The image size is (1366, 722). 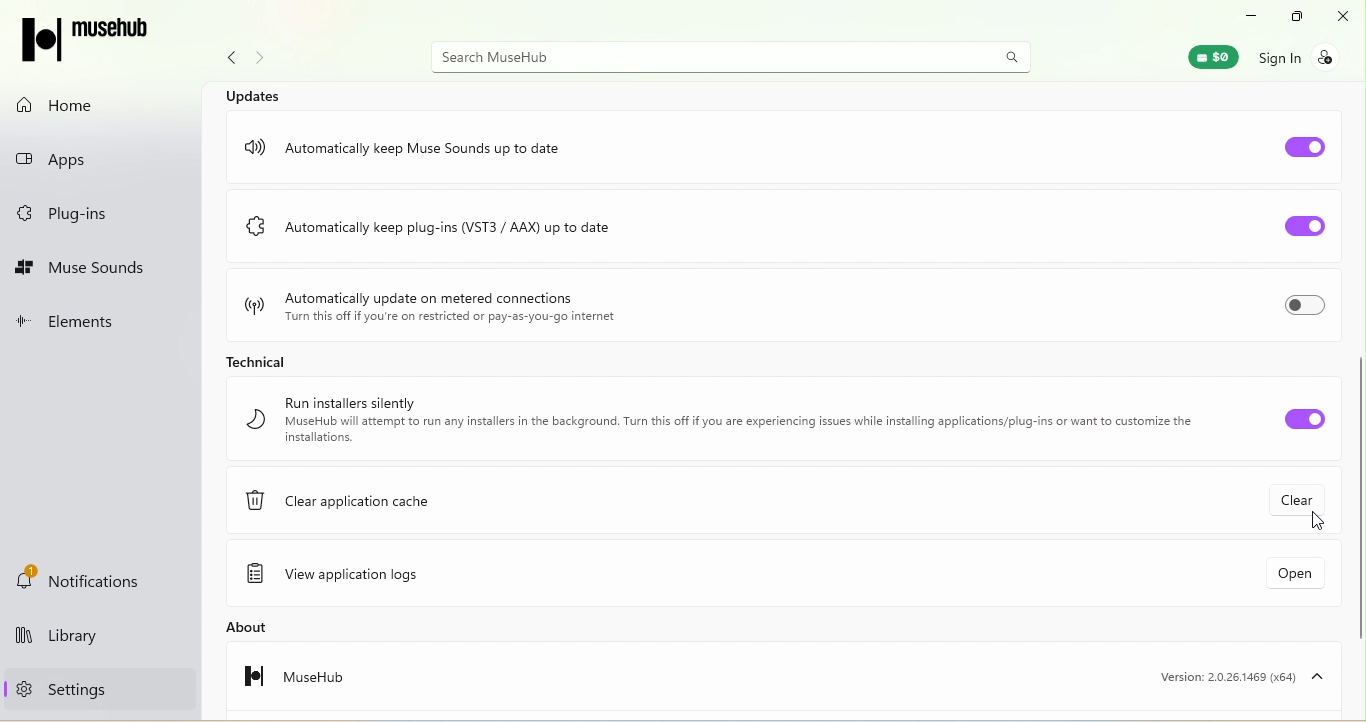 What do you see at coordinates (1289, 418) in the screenshot?
I see `Toggle button` at bounding box center [1289, 418].